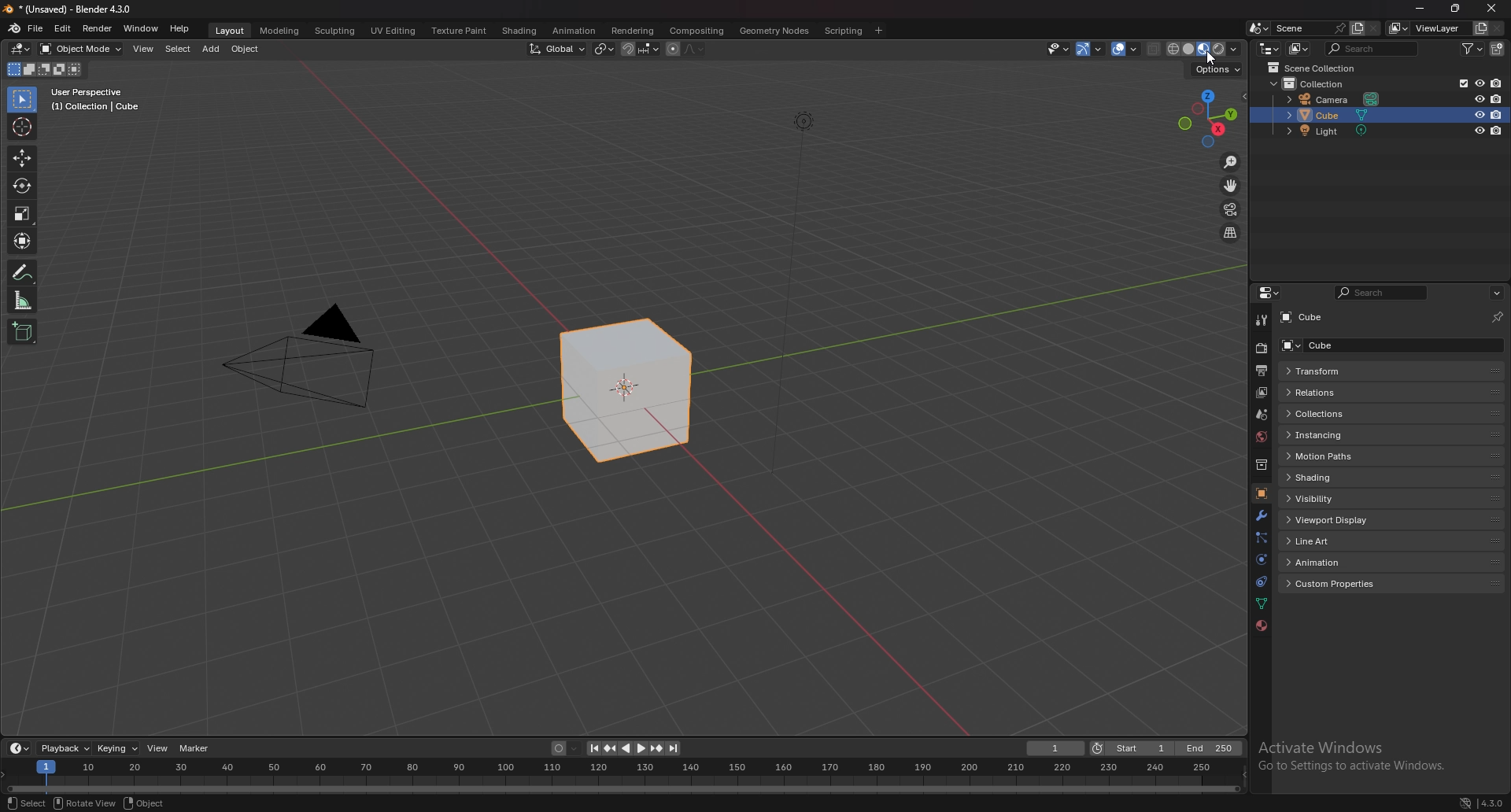  I want to click on particles, so click(1261, 539).